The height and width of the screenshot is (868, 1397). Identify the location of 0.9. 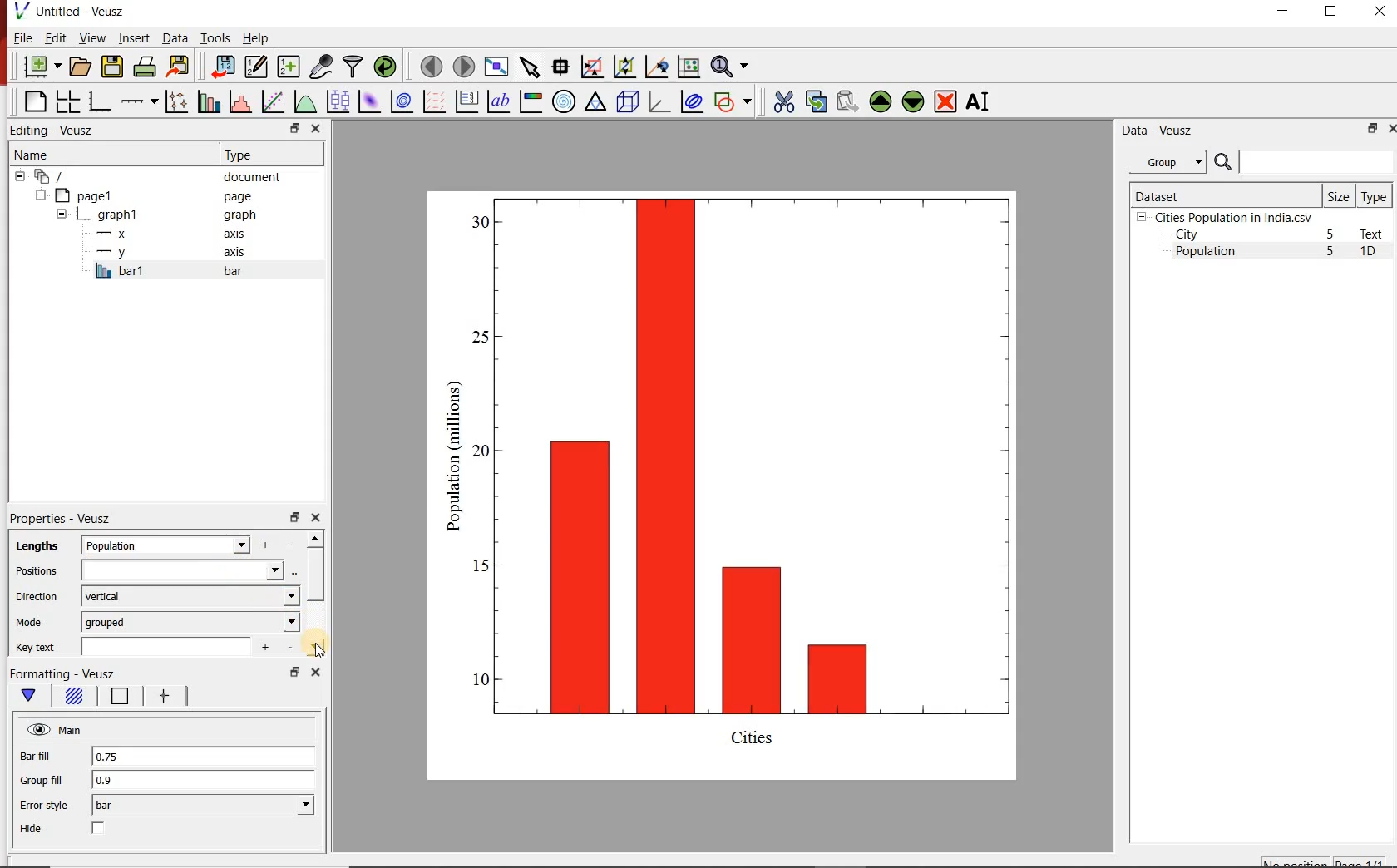
(204, 781).